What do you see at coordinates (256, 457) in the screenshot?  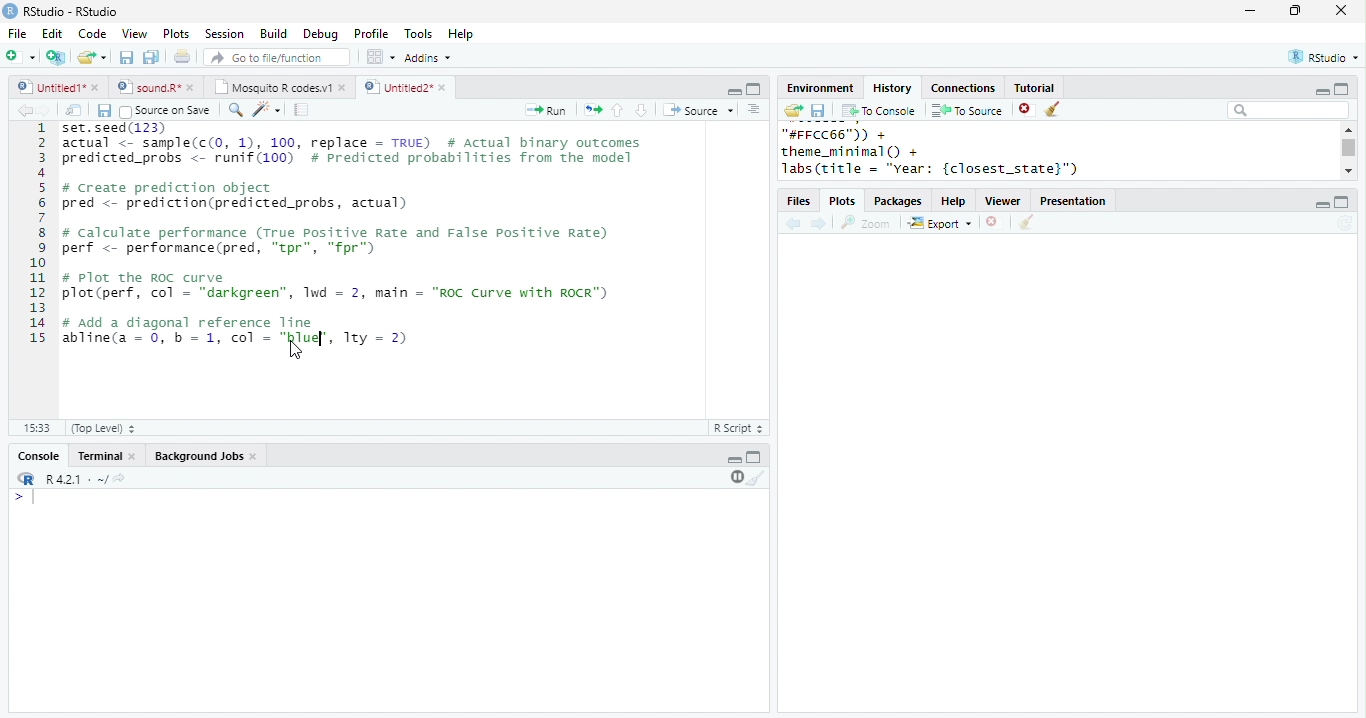 I see `close` at bounding box center [256, 457].